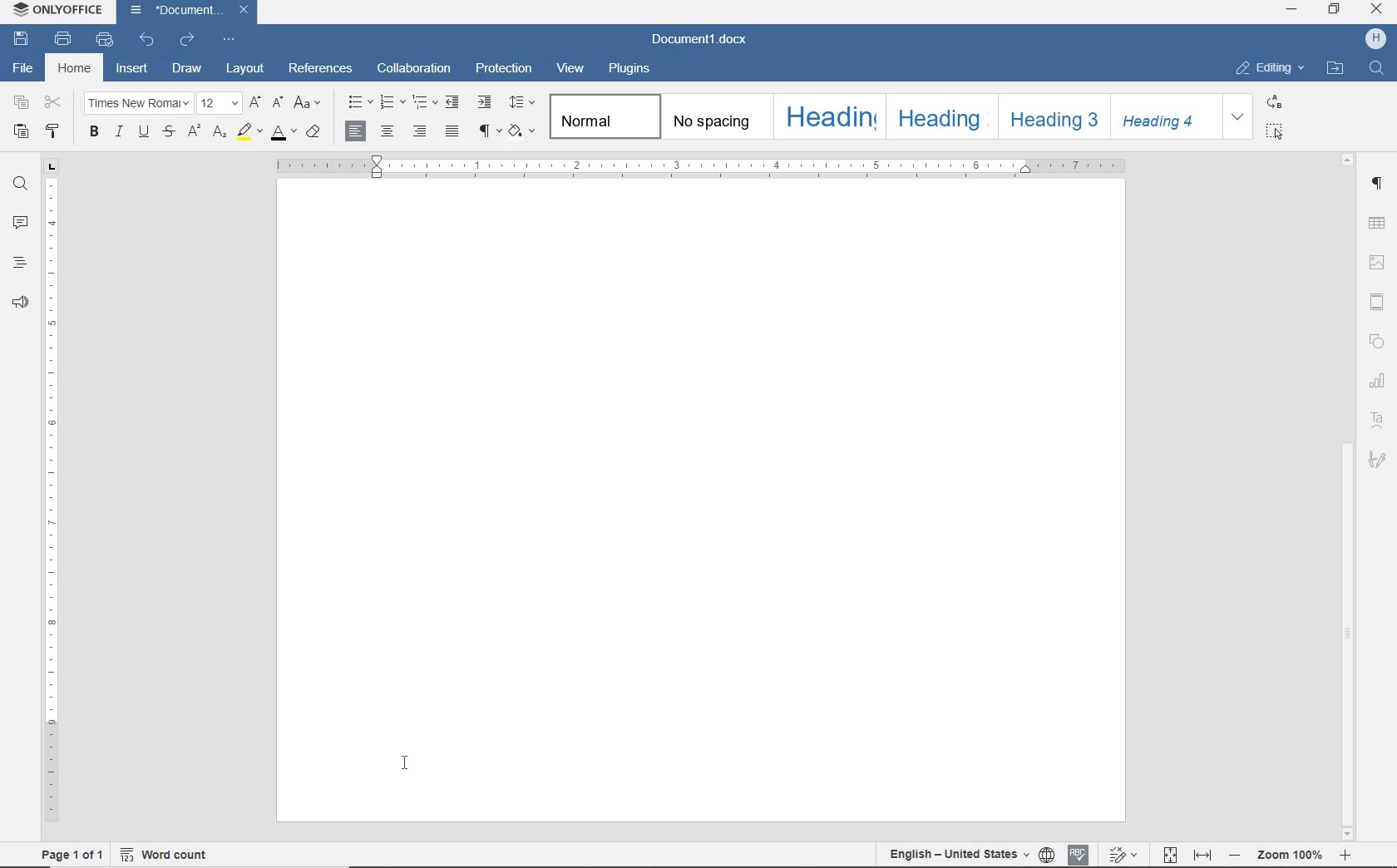 Image resolution: width=1397 pixels, height=868 pixels. What do you see at coordinates (1337, 68) in the screenshot?
I see `open file location` at bounding box center [1337, 68].